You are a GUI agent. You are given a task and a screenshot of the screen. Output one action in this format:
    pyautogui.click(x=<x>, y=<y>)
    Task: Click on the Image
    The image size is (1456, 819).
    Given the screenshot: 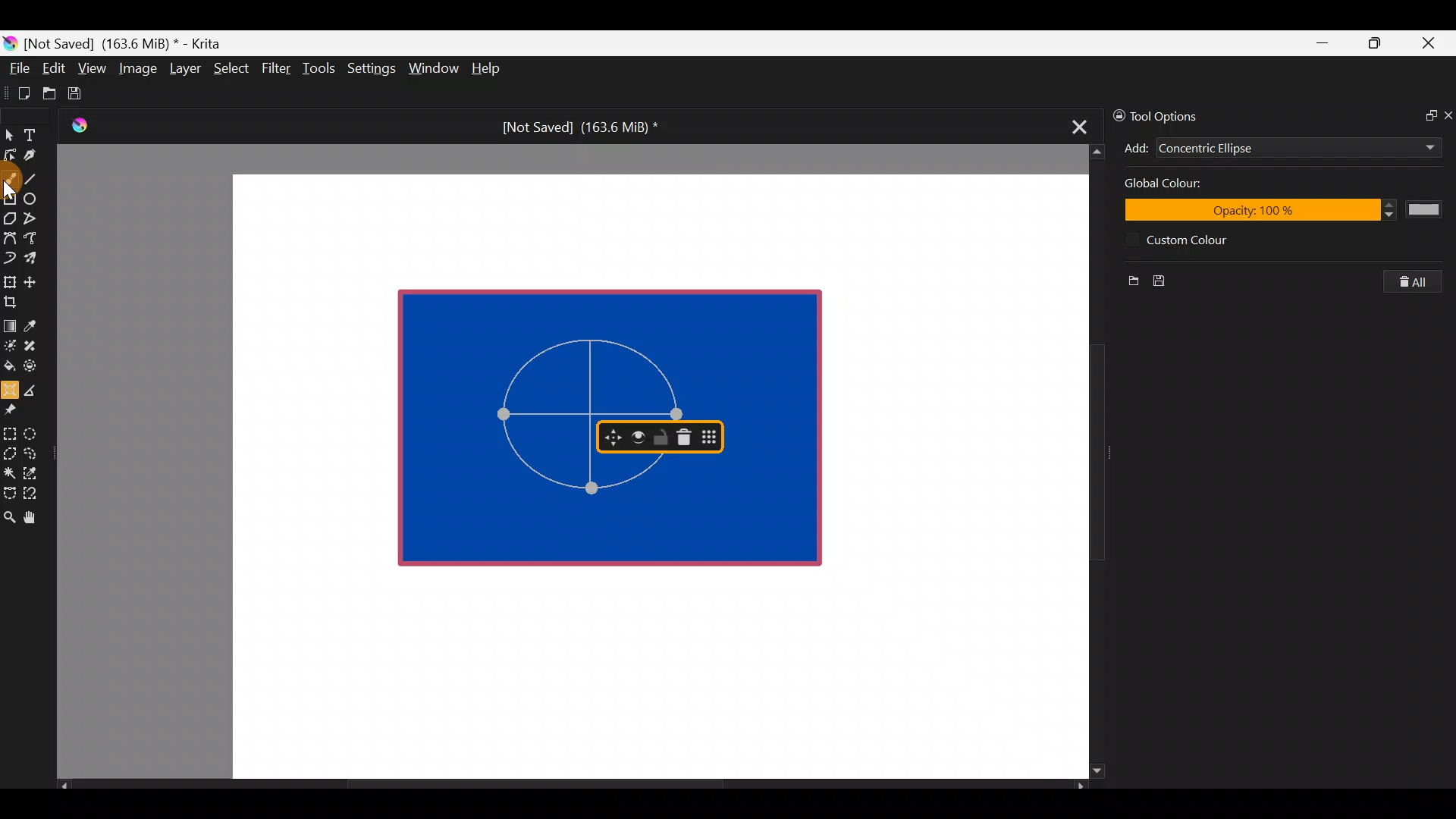 What is the action you would take?
    pyautogui.click(x=137, y=68)
    